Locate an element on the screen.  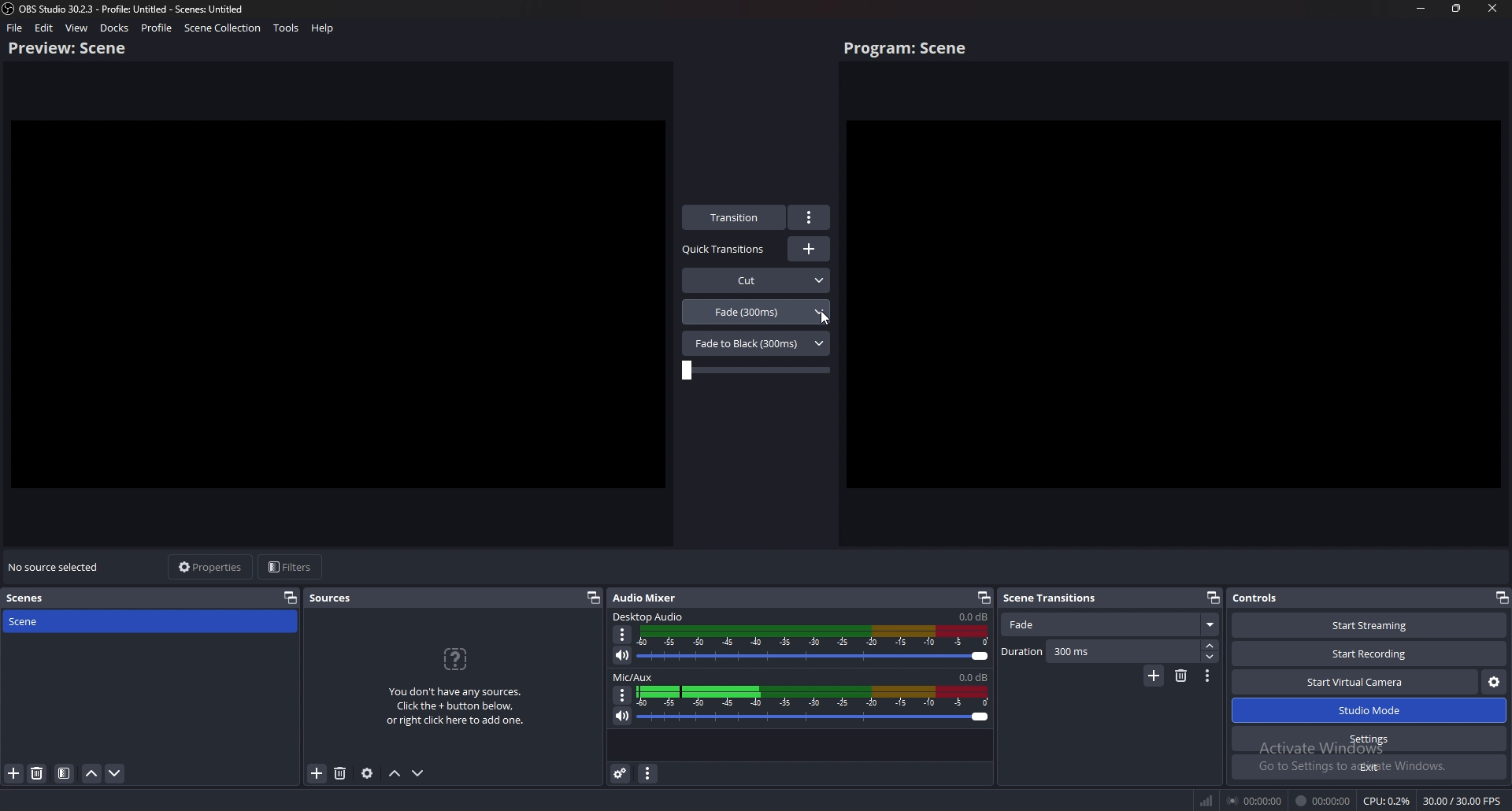
Desktop audio is located at coordinates (972, 617).